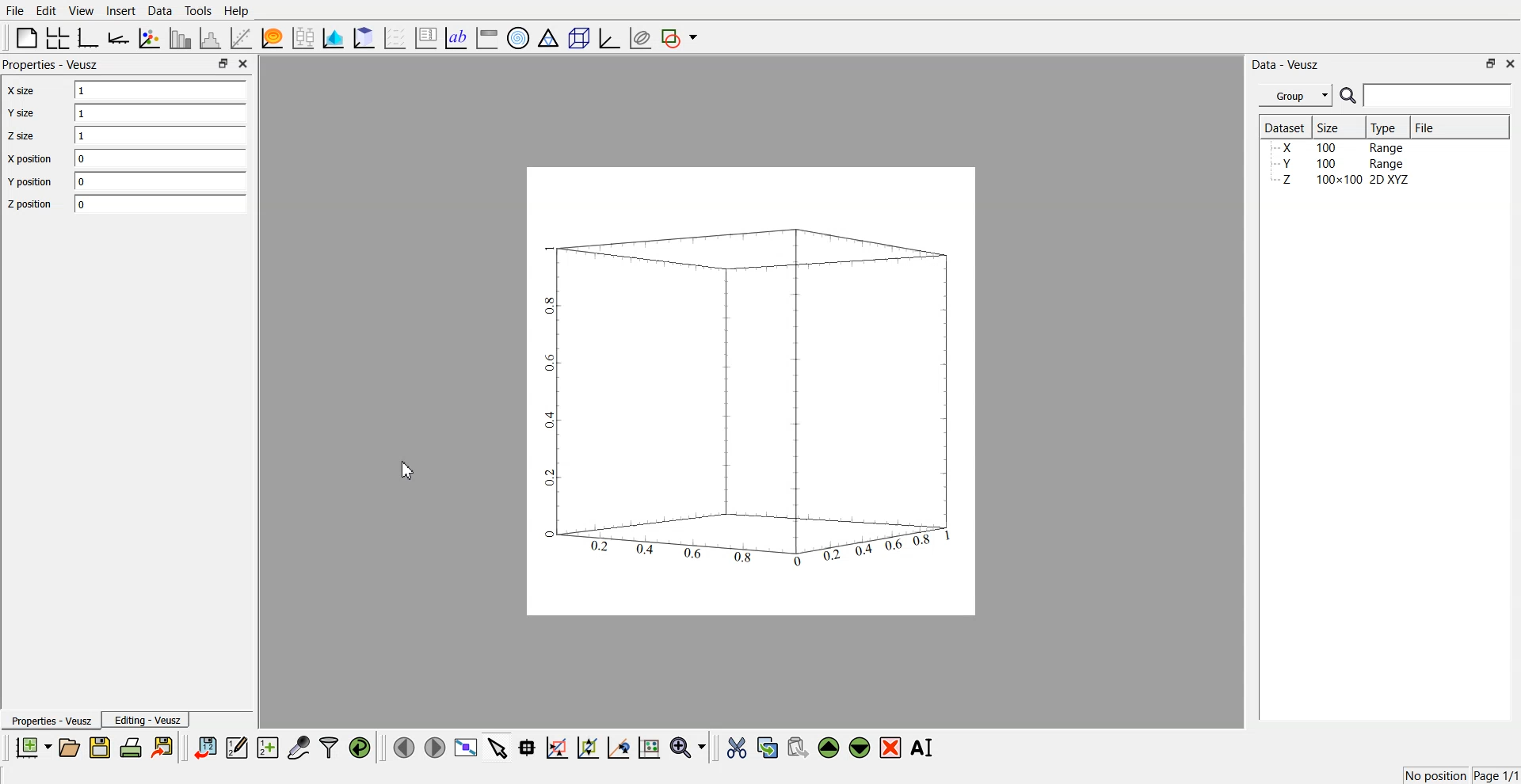 The height and width of the screenshot is (784, 1521). I want to click on Search Bar, so click(1427, 95).